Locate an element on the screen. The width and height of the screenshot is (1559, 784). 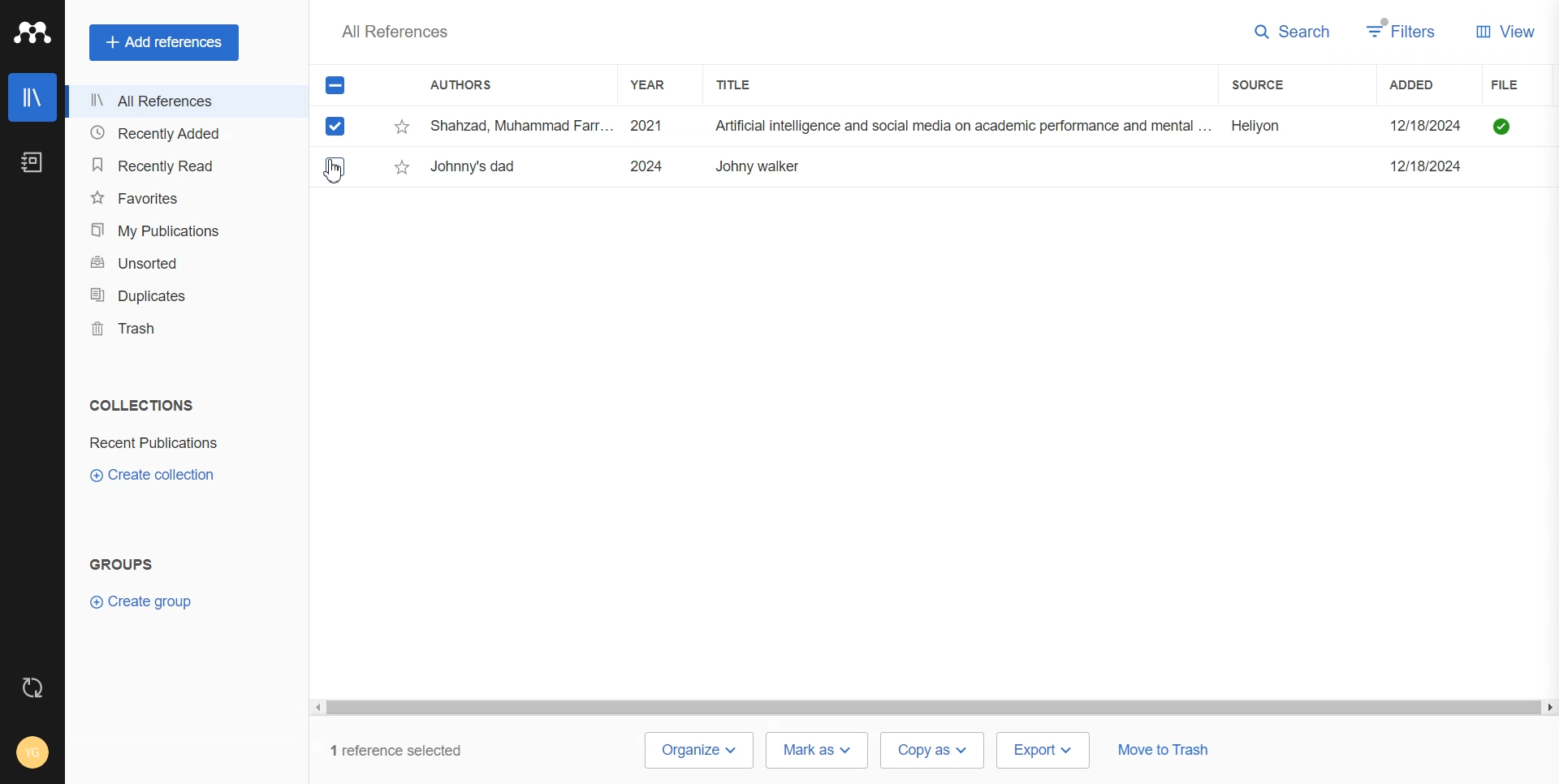
Library is located at coordinates (32, 97).